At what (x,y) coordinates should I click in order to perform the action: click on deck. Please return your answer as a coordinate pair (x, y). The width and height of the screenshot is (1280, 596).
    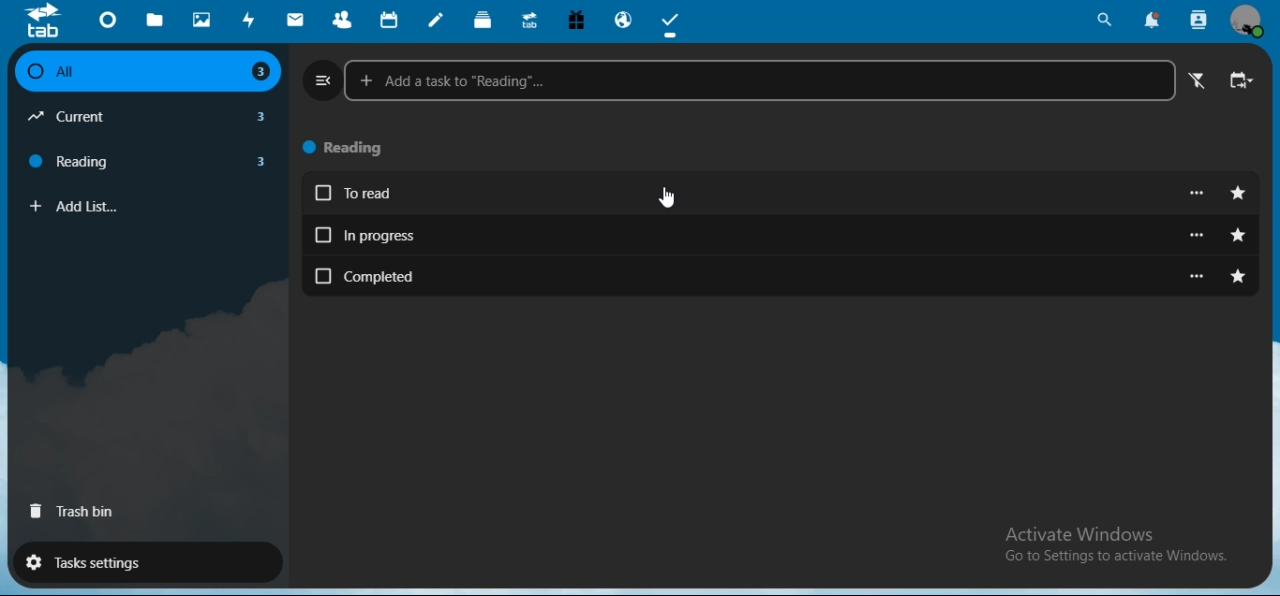
    Looking at the image, I should click on (483, 18).